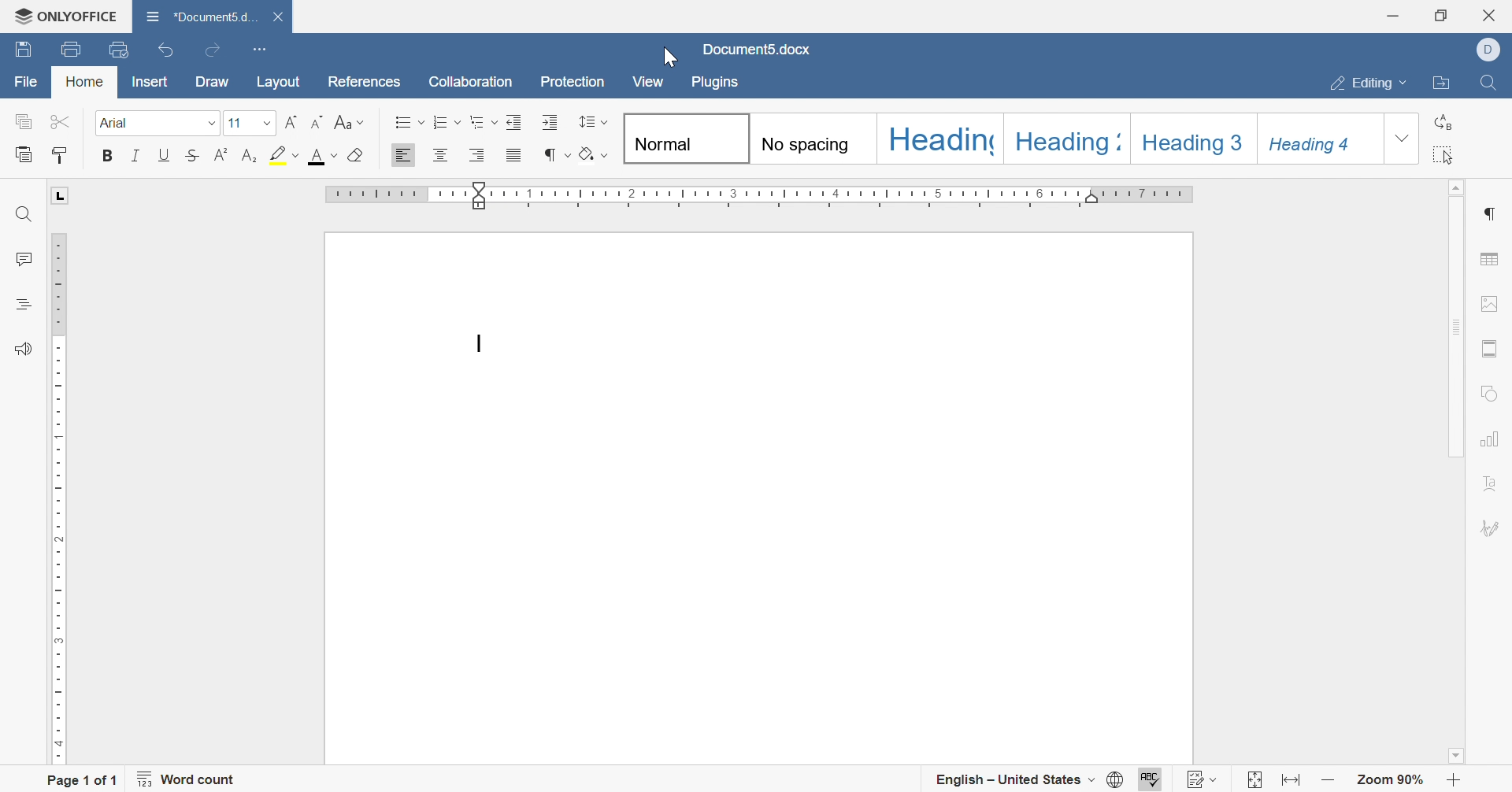  What do you see at coordinates (1488, 47) in the screenshot?
I see `dell` at bounding box center [1488, 47].